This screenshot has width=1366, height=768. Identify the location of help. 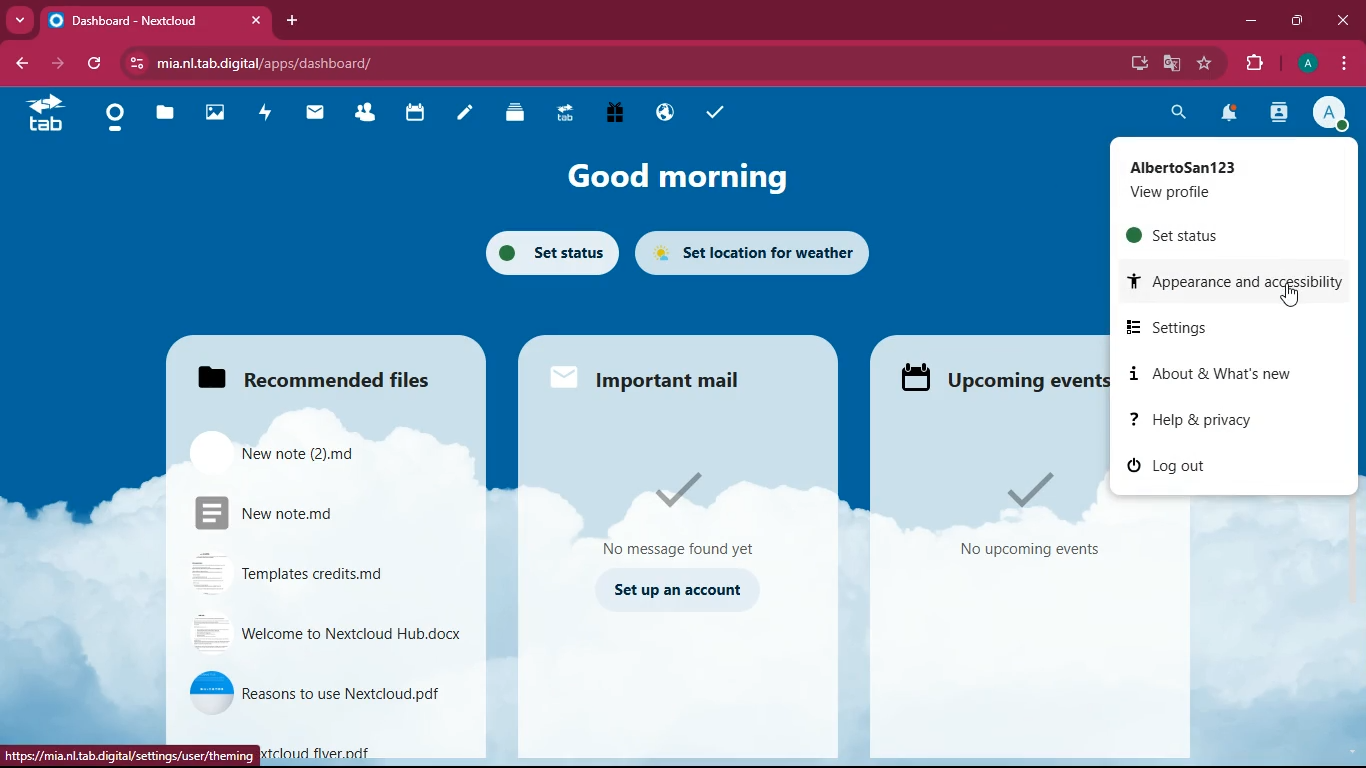
(1204, 421).